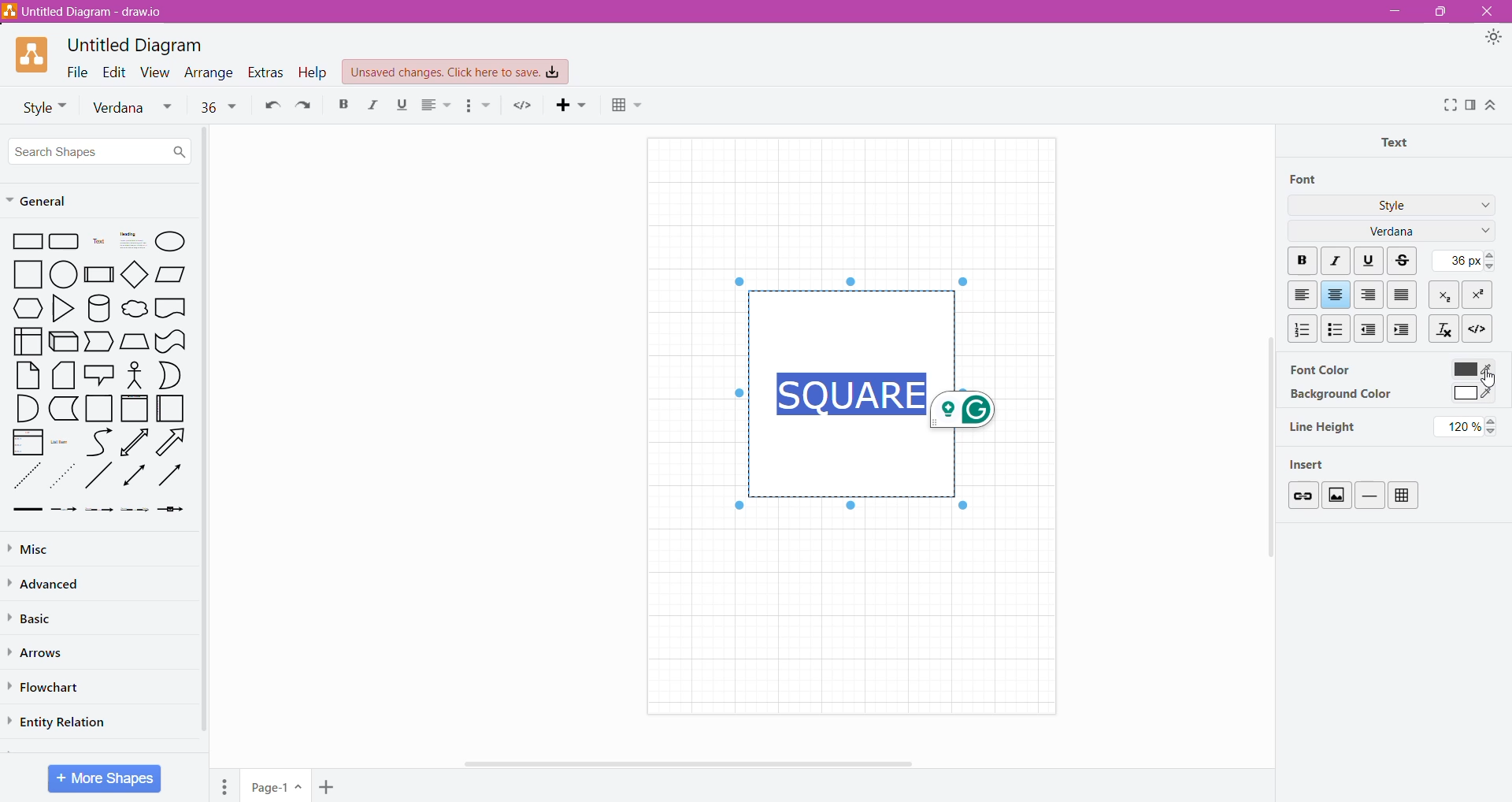 This screenshot has height=802, width=1512. Describe the element at coordinates (1462, 260) in the screenshot. I see `Set Font Size` at that location.